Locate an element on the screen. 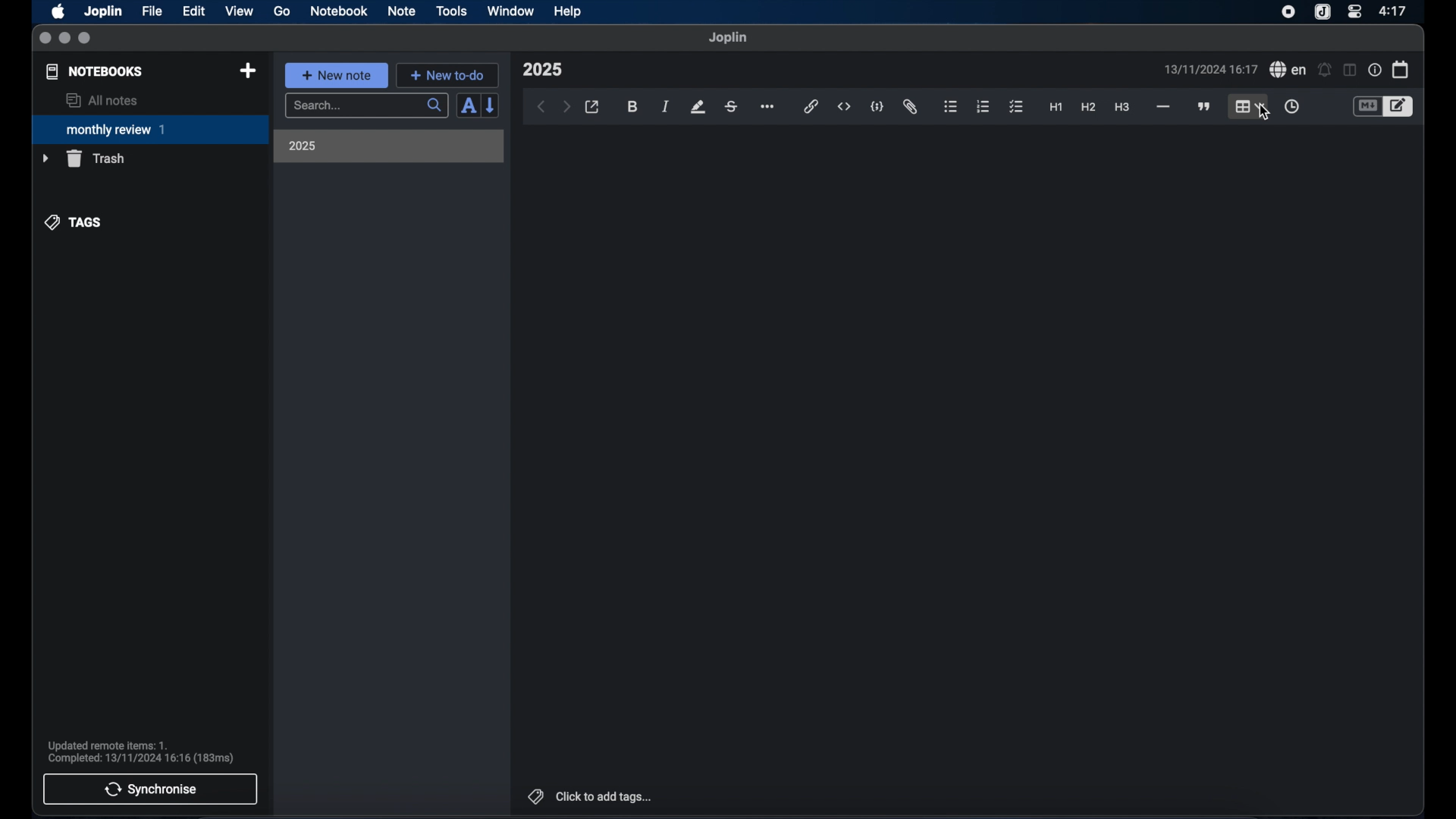  cursor is located at coordinates (1263, 112).